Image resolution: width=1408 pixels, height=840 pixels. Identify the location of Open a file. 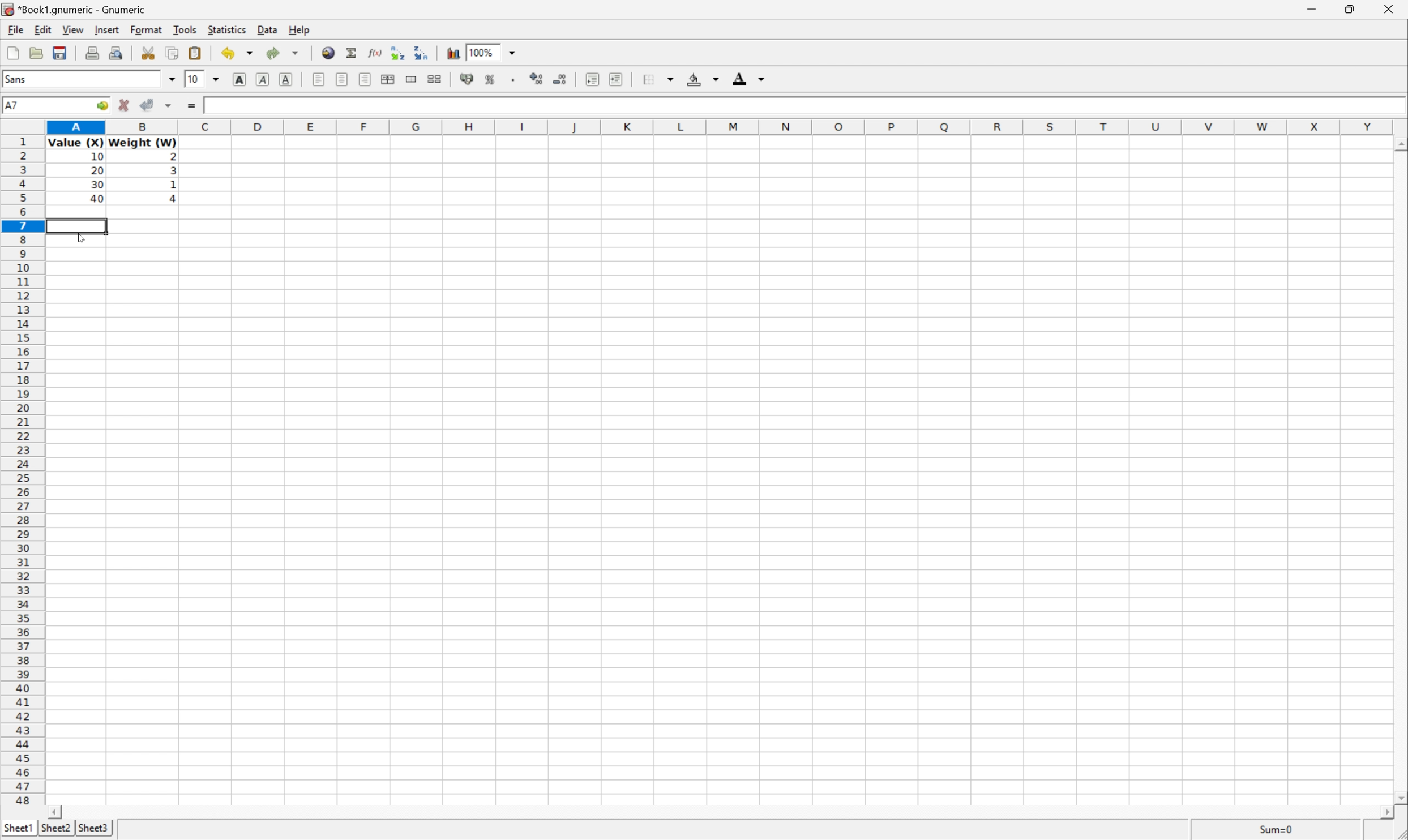
(33, 53).